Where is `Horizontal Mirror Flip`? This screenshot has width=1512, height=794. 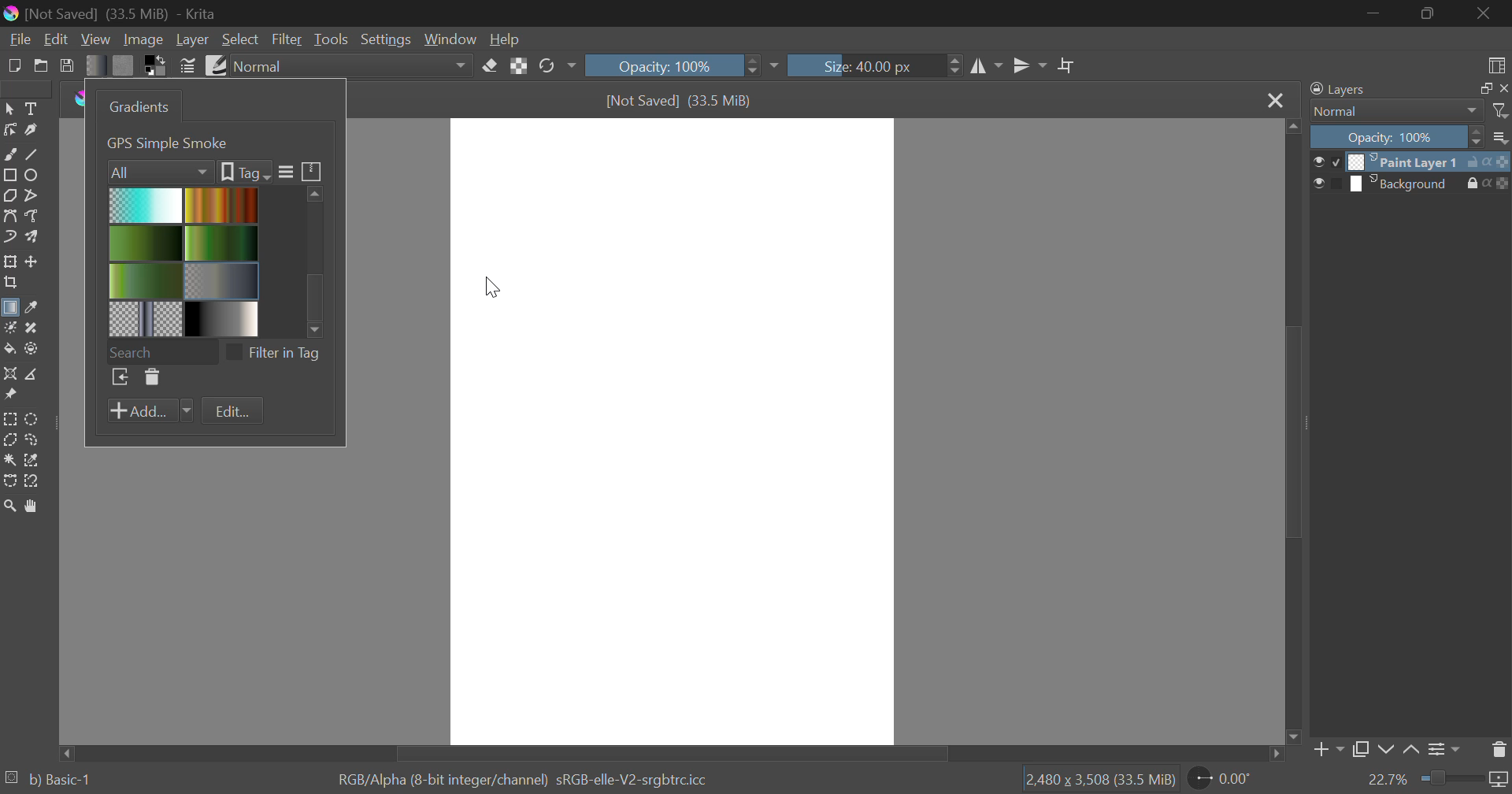
Horizontal Mirror Flip is located at coordinates (1026, 68).